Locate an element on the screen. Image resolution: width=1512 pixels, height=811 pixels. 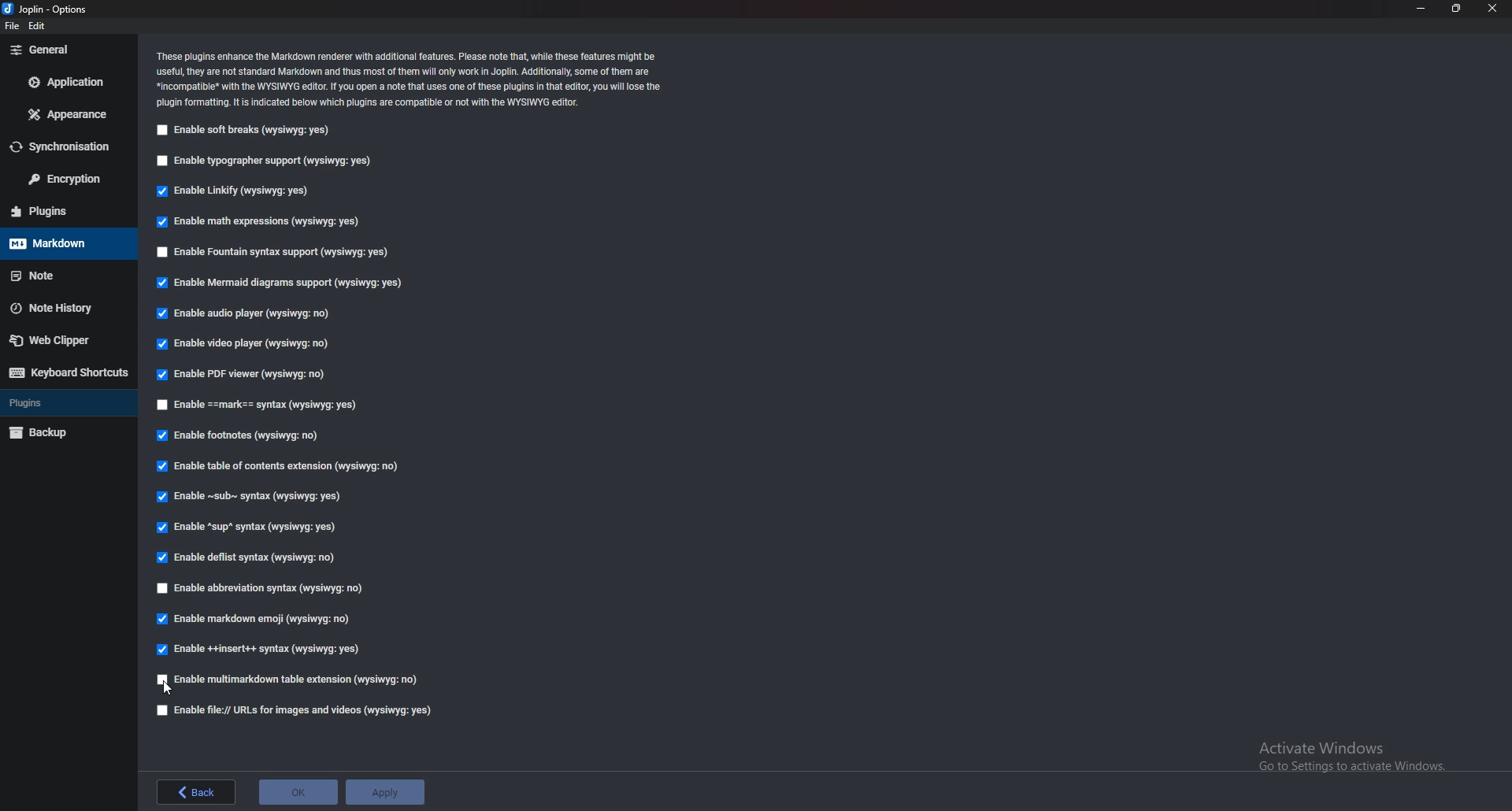
apply is located at coordinates (387, 790).